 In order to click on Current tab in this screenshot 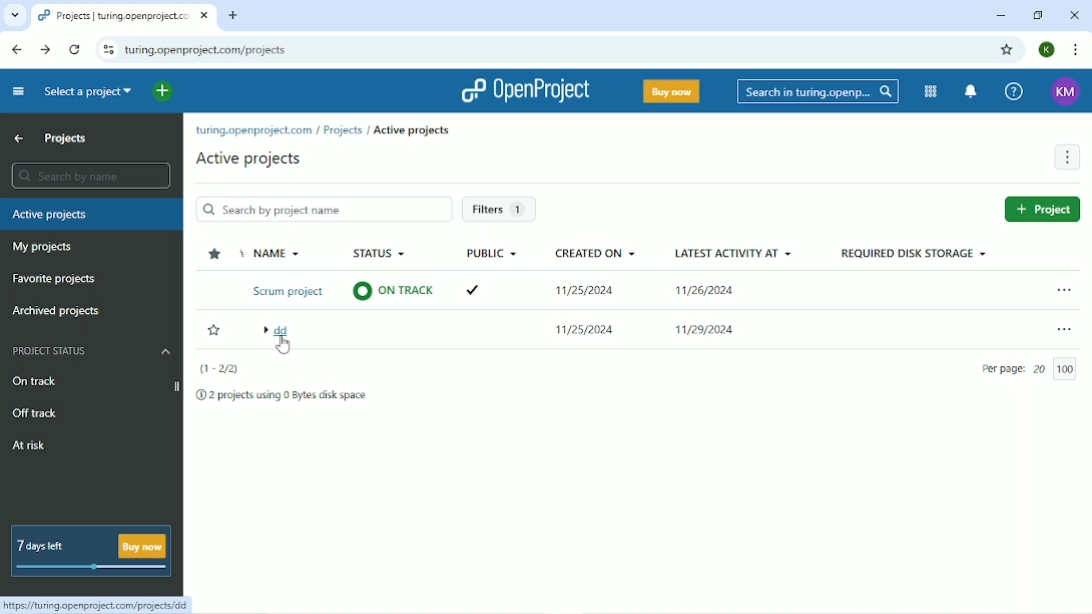, I will do `click(124, 16)`.